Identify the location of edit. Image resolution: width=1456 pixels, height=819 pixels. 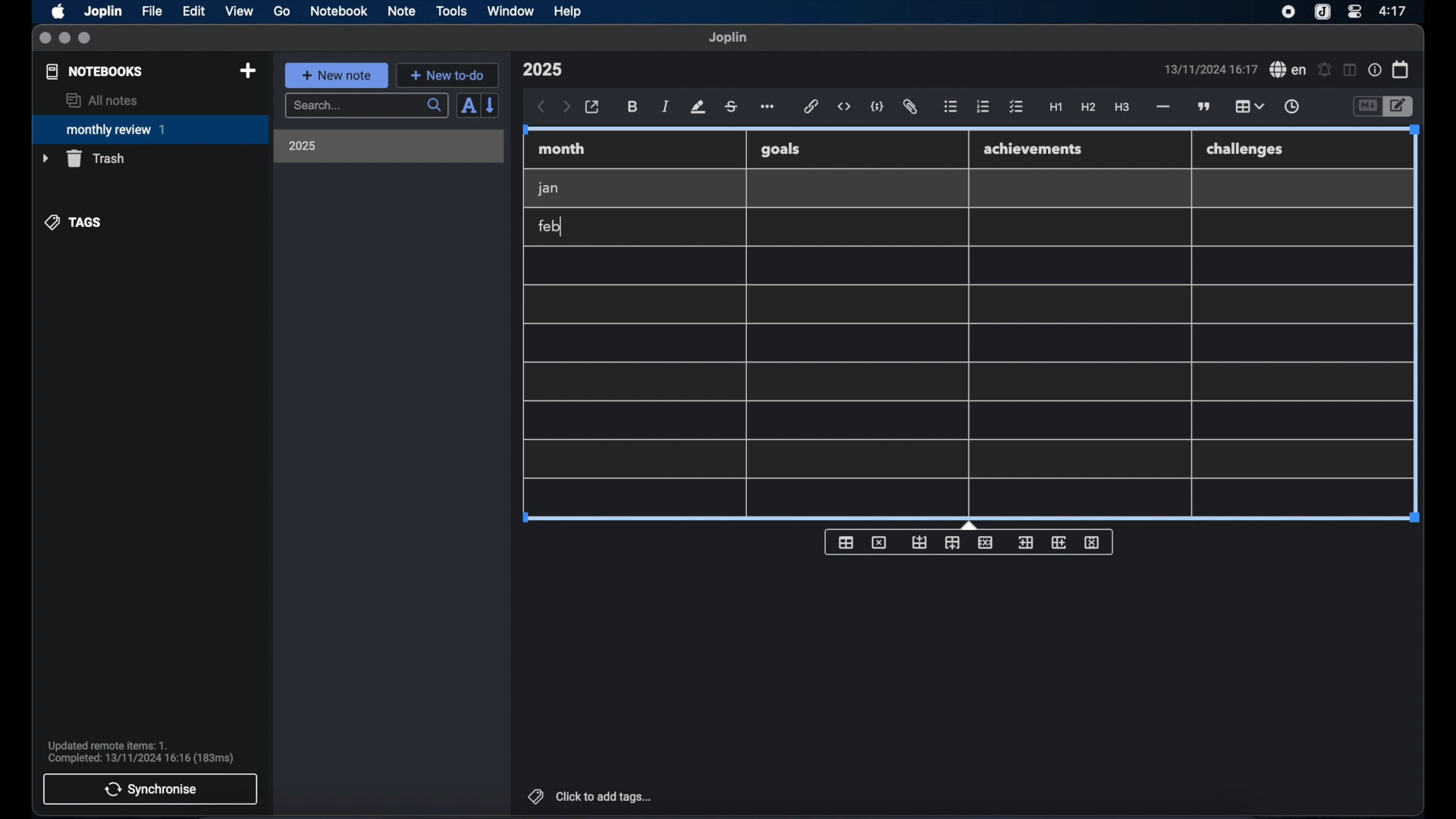
(195, 11).